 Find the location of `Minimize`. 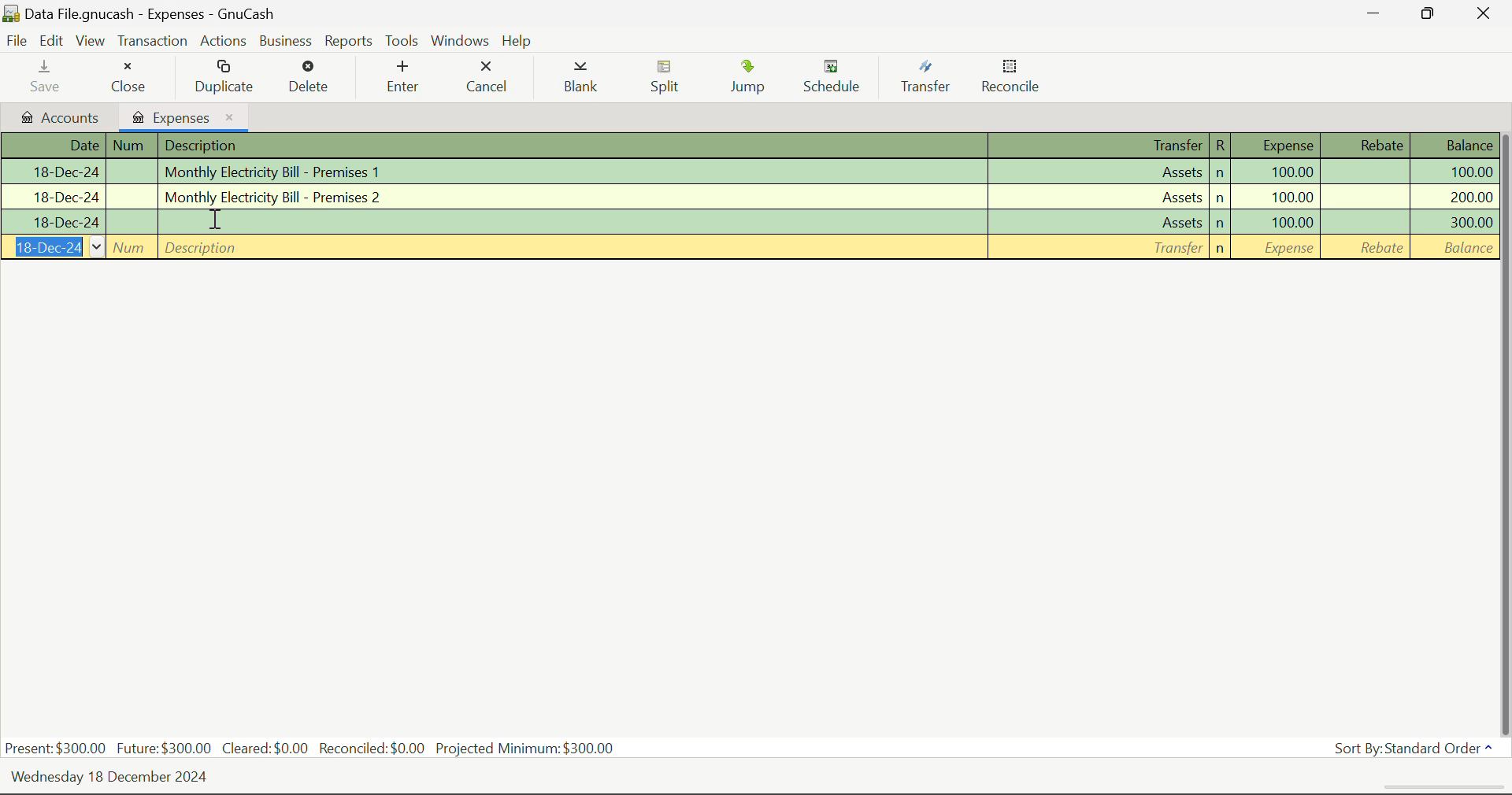

Minimize is located at coordinates (1430, 16).